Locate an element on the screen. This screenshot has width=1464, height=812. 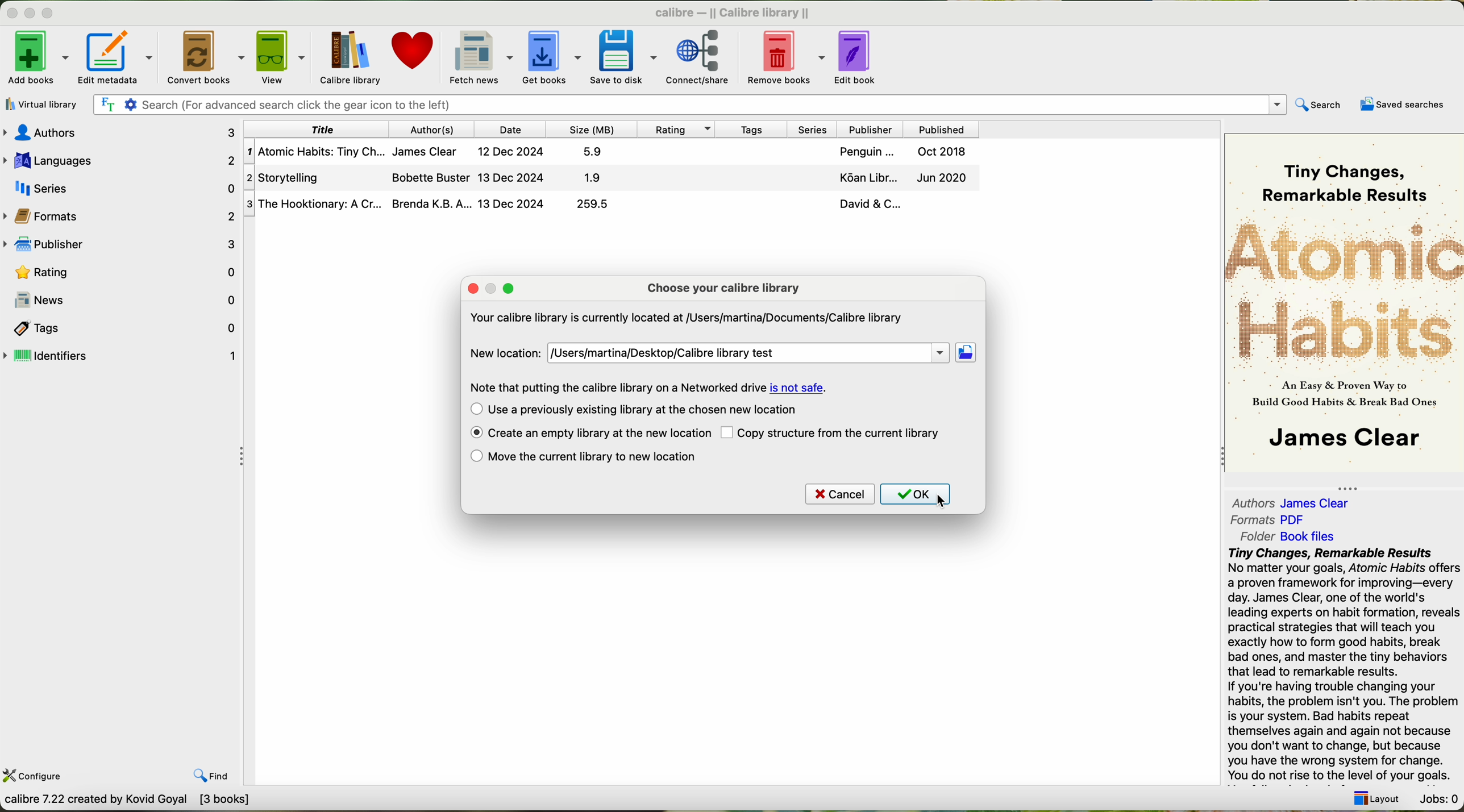
virtual library is located at coordinates (39, 104).